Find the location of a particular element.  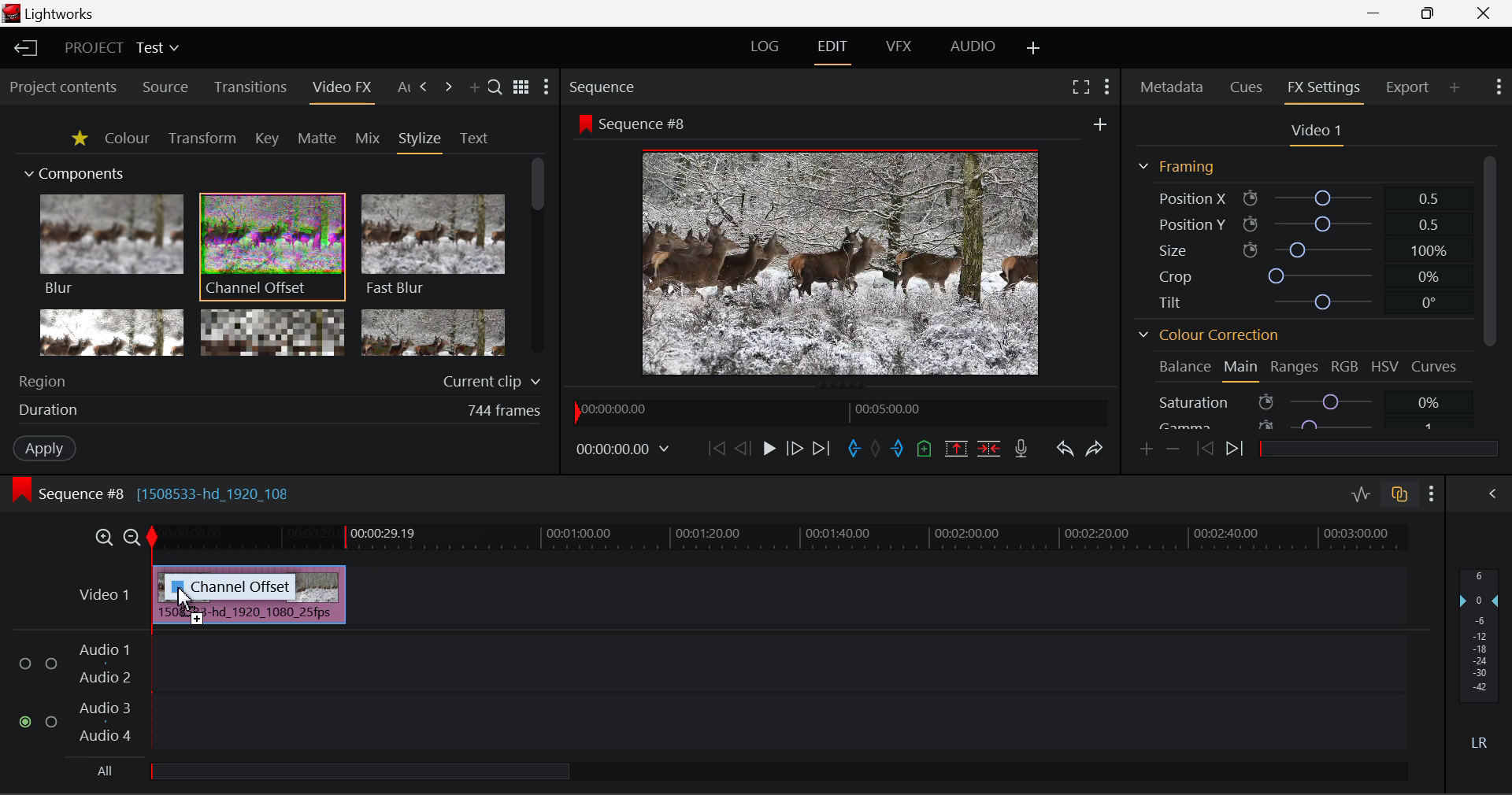

AUDIO Layout is located at coordinates (975, 50).